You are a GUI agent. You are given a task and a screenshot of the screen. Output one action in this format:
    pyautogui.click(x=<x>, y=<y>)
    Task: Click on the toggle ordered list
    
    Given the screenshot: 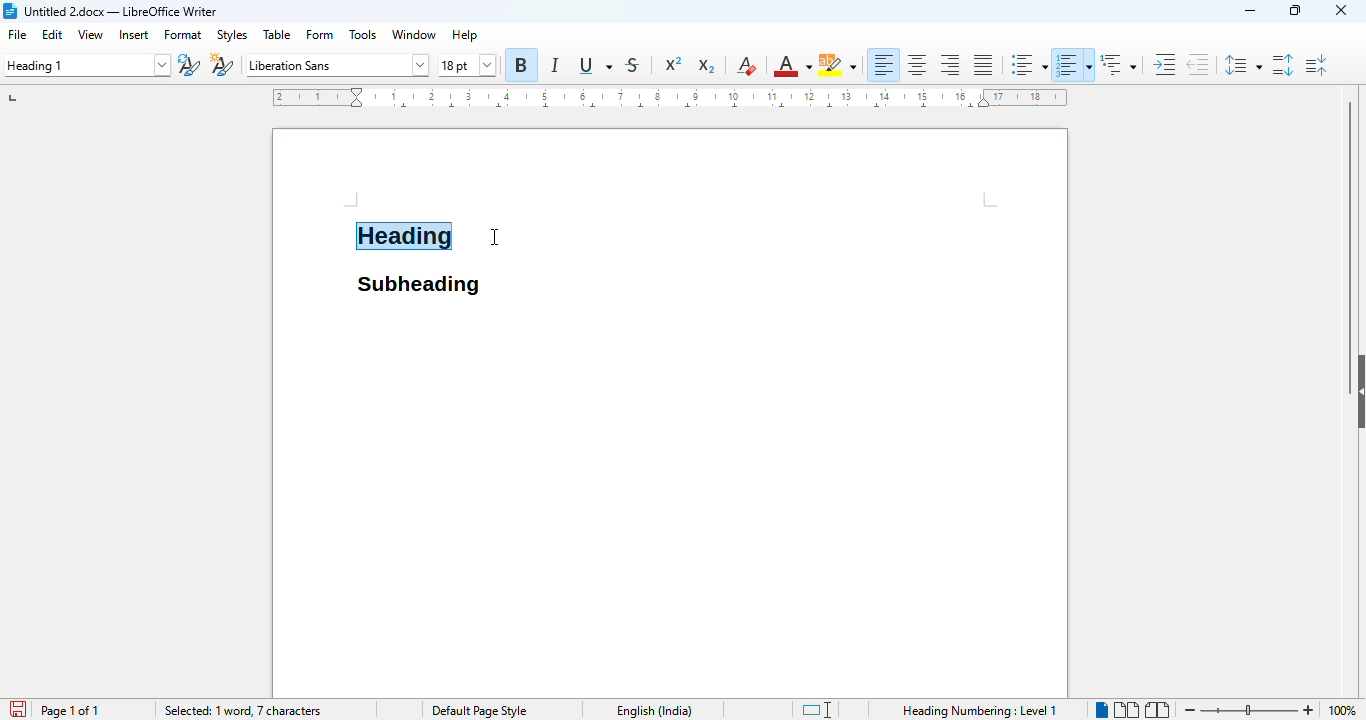 What is the action you would take?
    pyautogui.click(x=1074, y=64)
    